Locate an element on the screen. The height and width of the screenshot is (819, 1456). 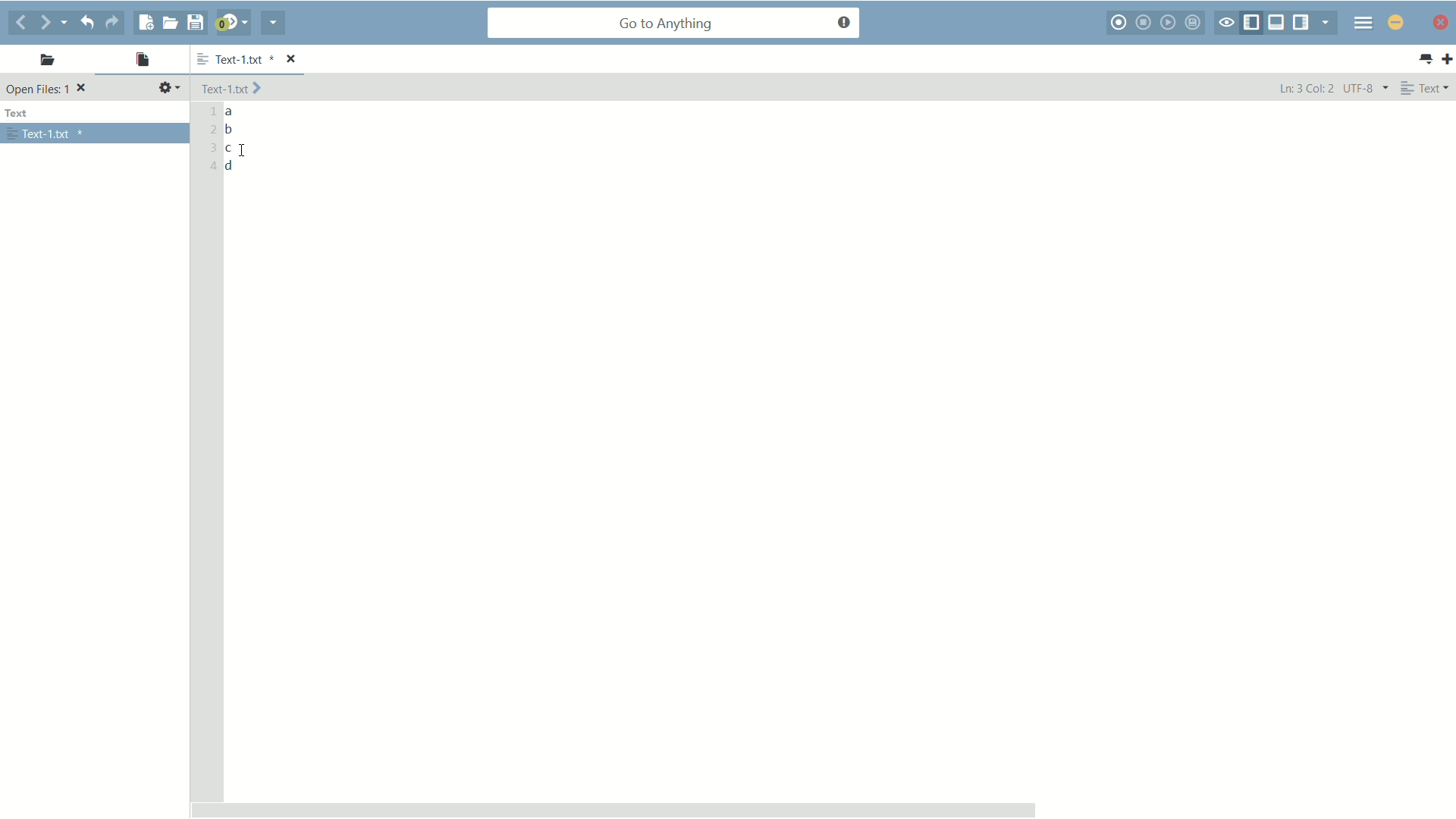
a
b
c
d is located at coordinates (232, 140).